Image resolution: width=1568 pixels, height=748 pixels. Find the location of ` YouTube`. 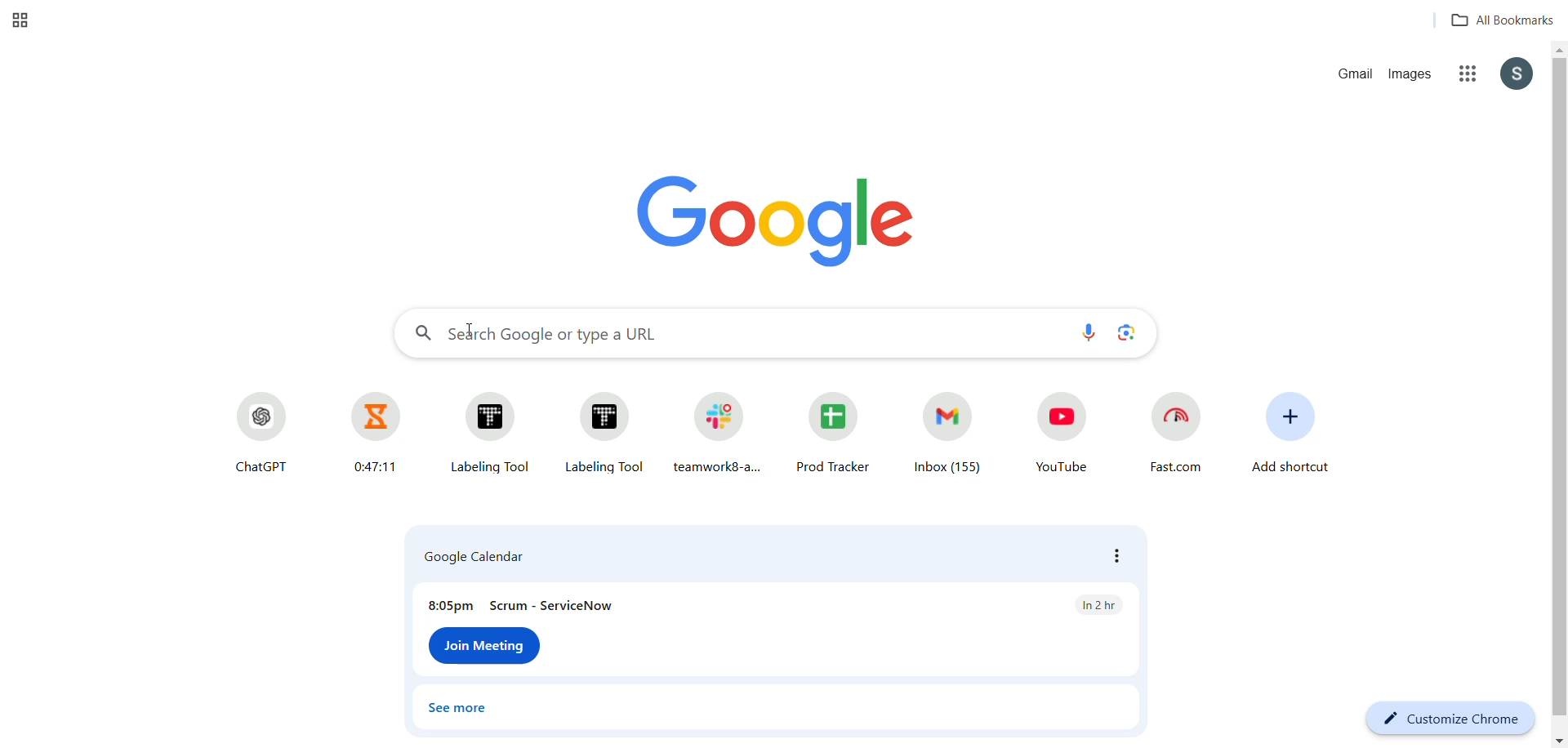

 YouTube is located at coordinates (1054, 437).